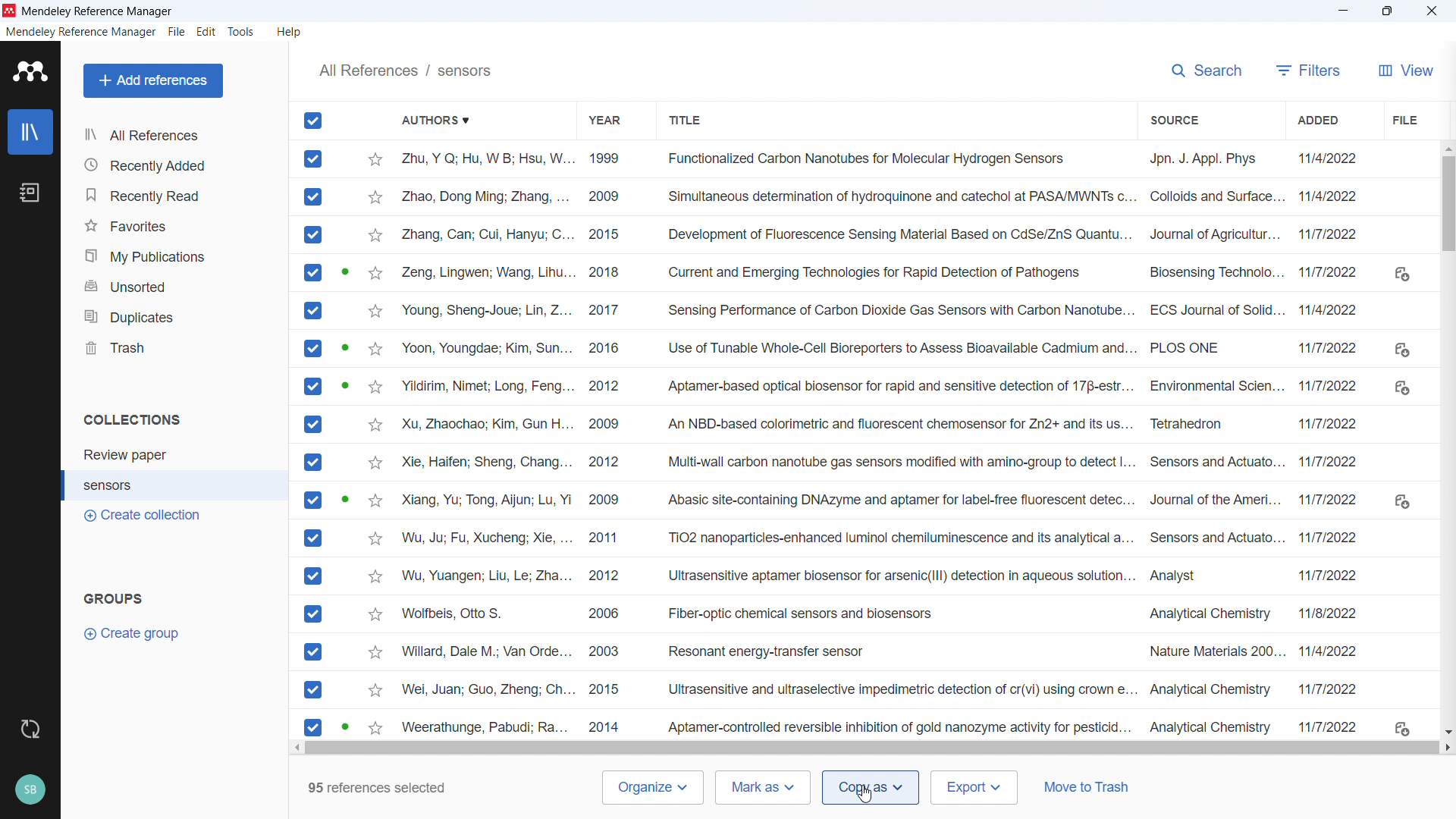 This screenshot has height=819, width=1456. What do you see at coordinates (1344, 11) in the screenshot?
I see `minimise ` at bounding box center [1344, 11].